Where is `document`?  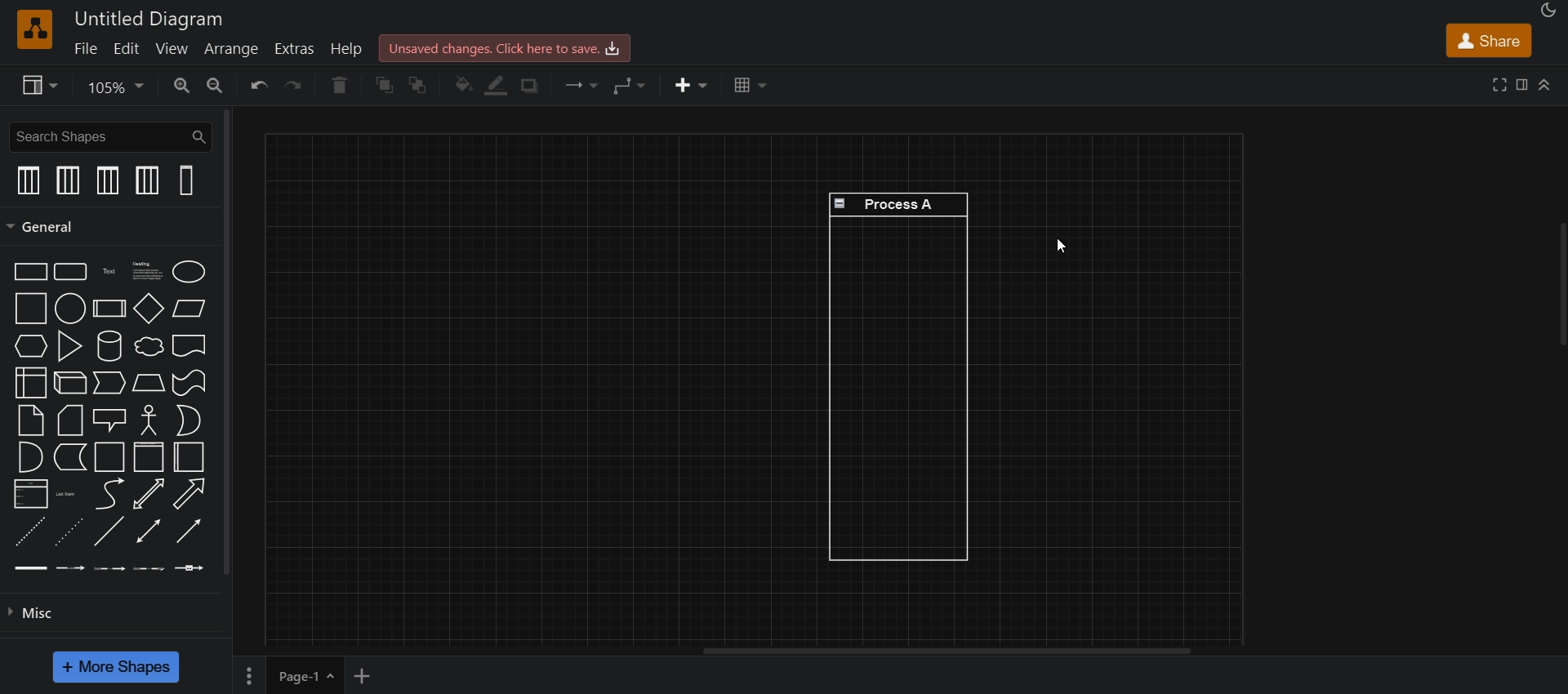 document is located at coordinates (191, 345).